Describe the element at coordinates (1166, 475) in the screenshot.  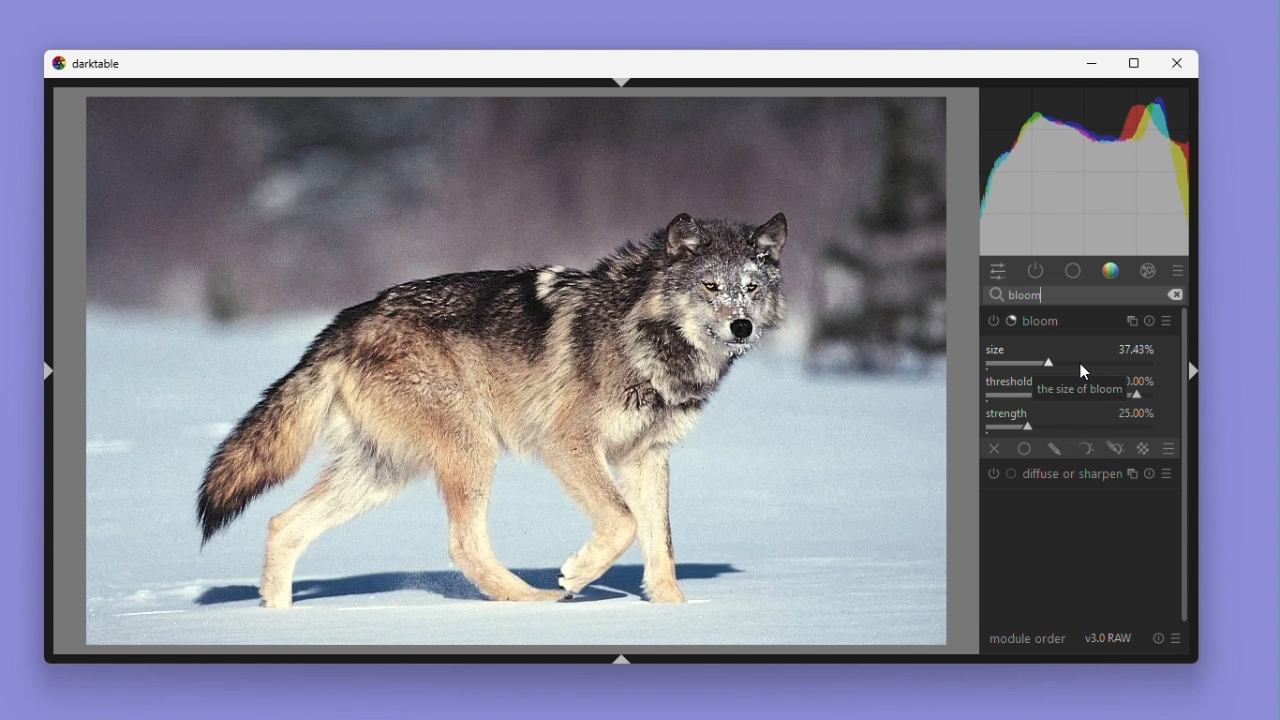
I see `Preset ` at that location.